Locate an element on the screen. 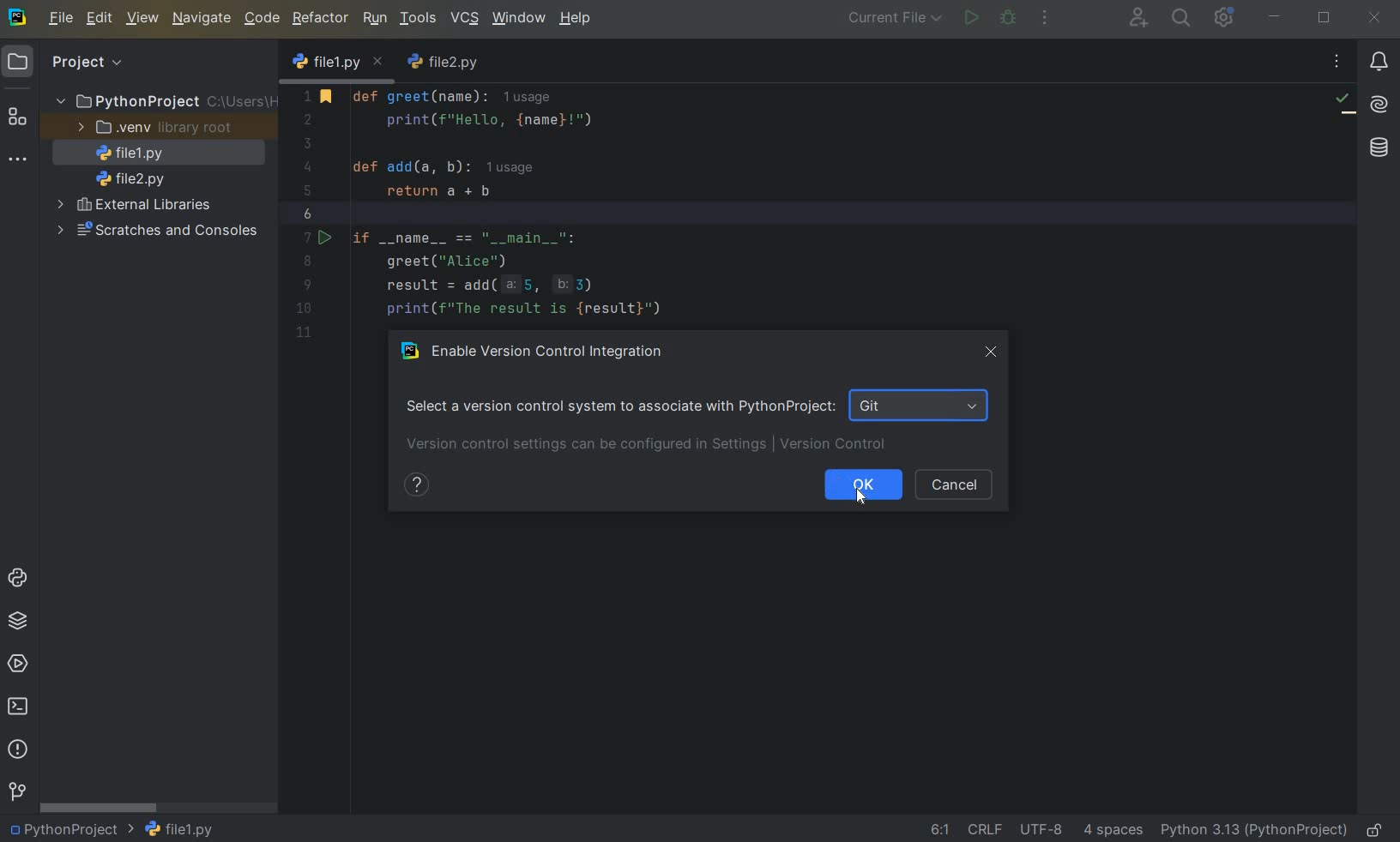 The image size is (1400, 842). refactor is located at coordinates (321, 19).